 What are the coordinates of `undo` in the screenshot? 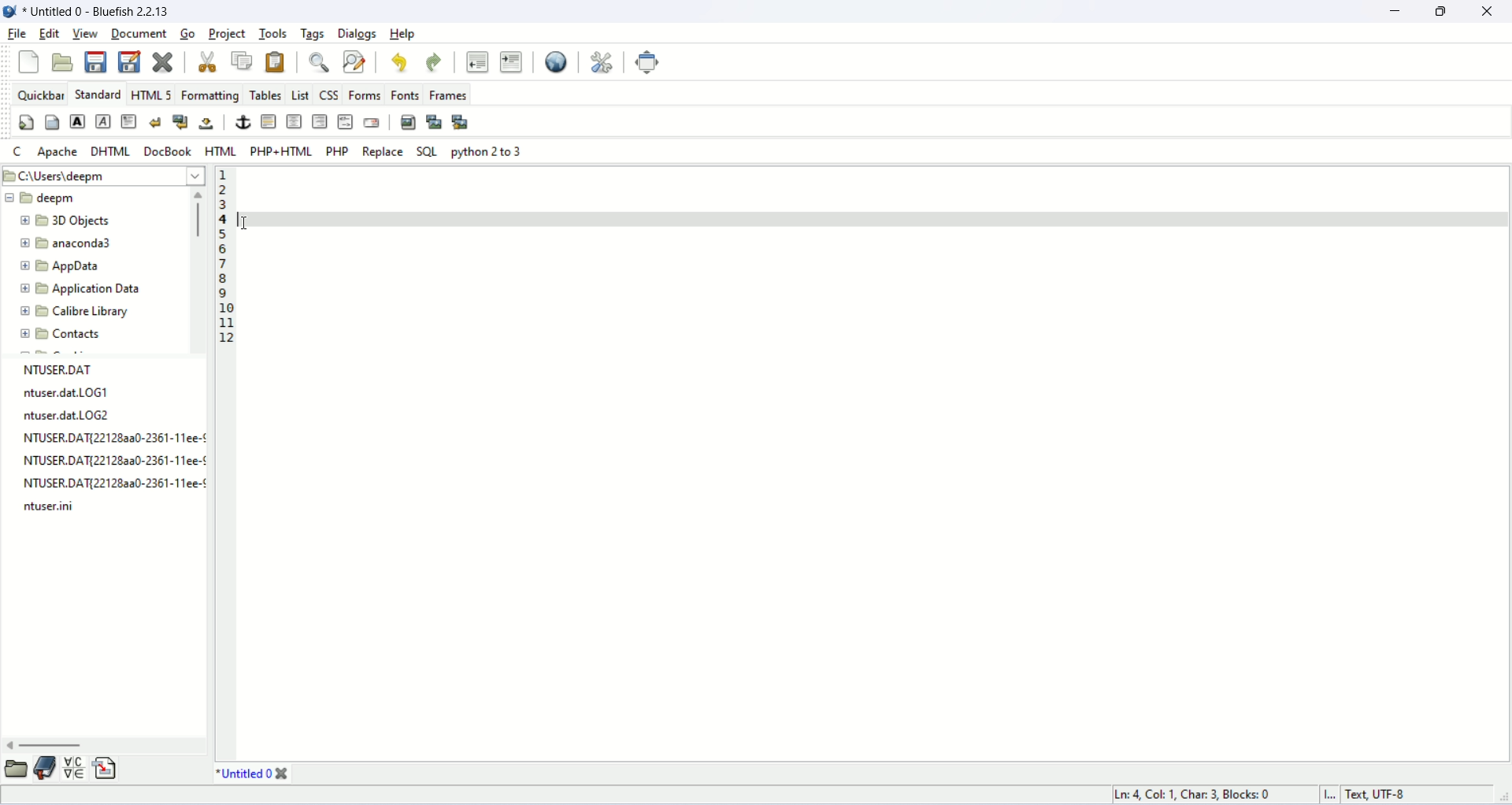 It's located at (397, 61).